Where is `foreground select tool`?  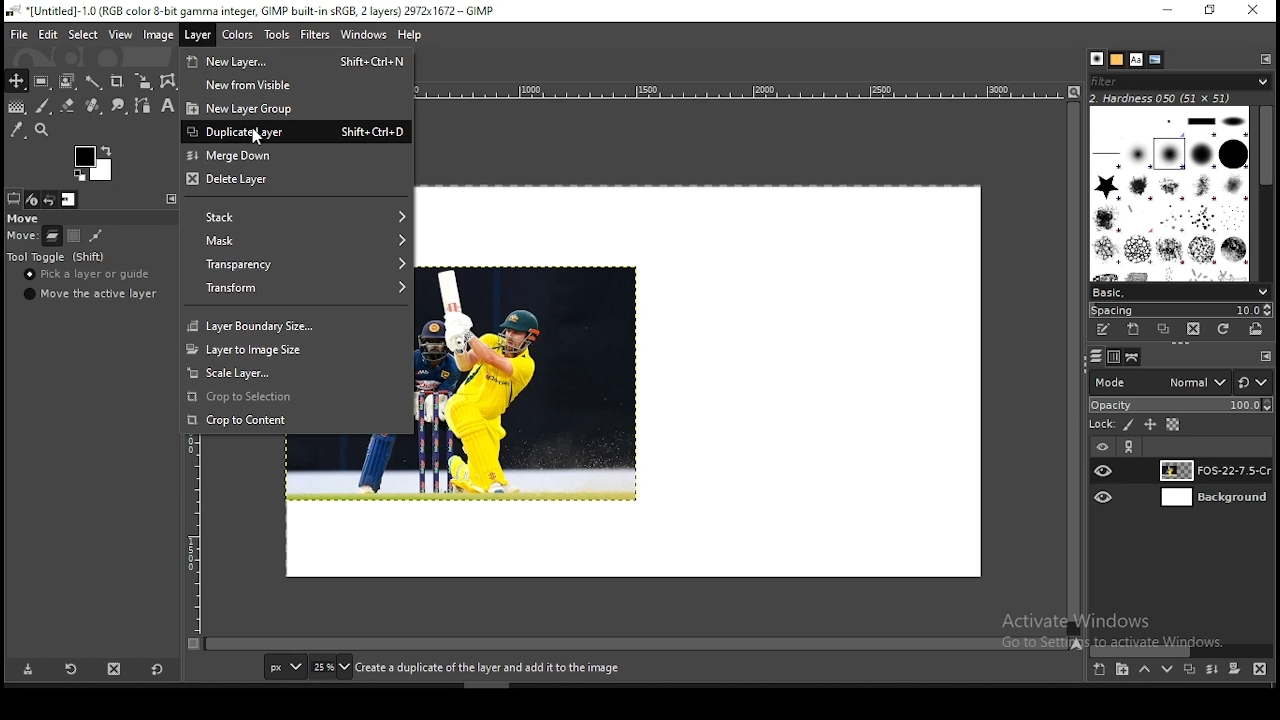
foreground select tool is located at coordinates (68, 79).